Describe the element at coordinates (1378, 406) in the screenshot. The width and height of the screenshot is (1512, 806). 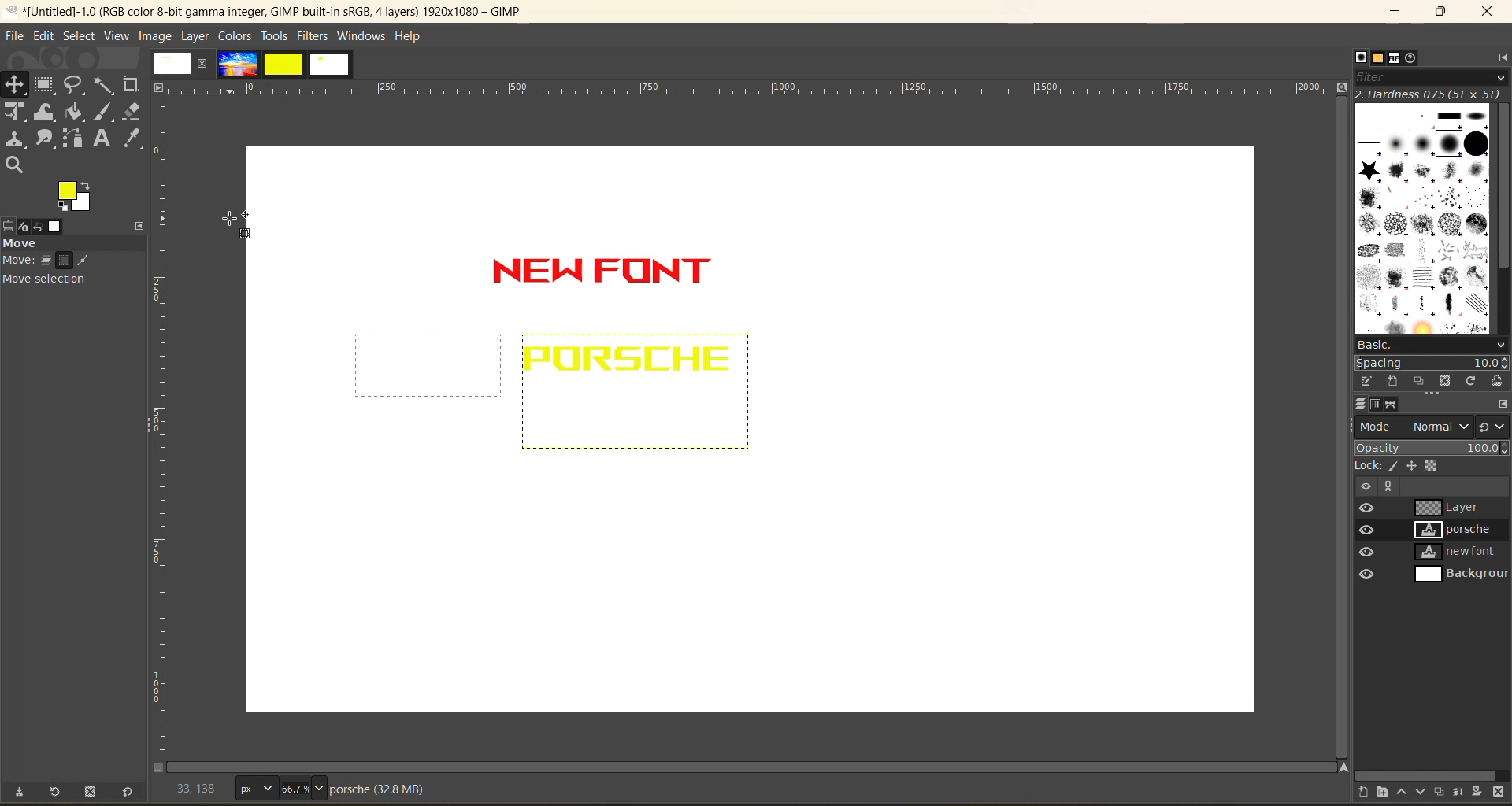
I see `channels` at that location.